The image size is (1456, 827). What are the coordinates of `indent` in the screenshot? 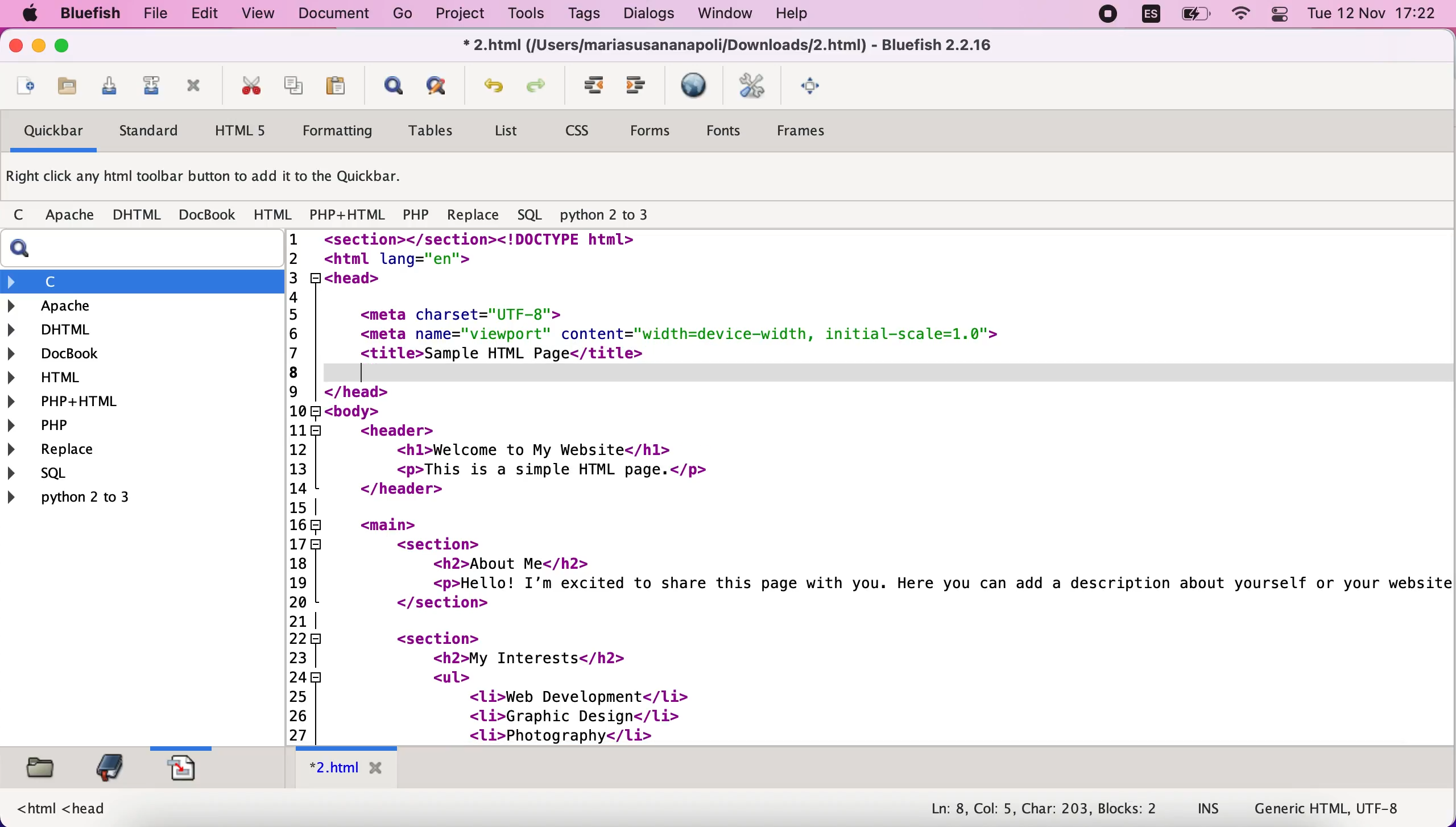 It's located at (595, 86).